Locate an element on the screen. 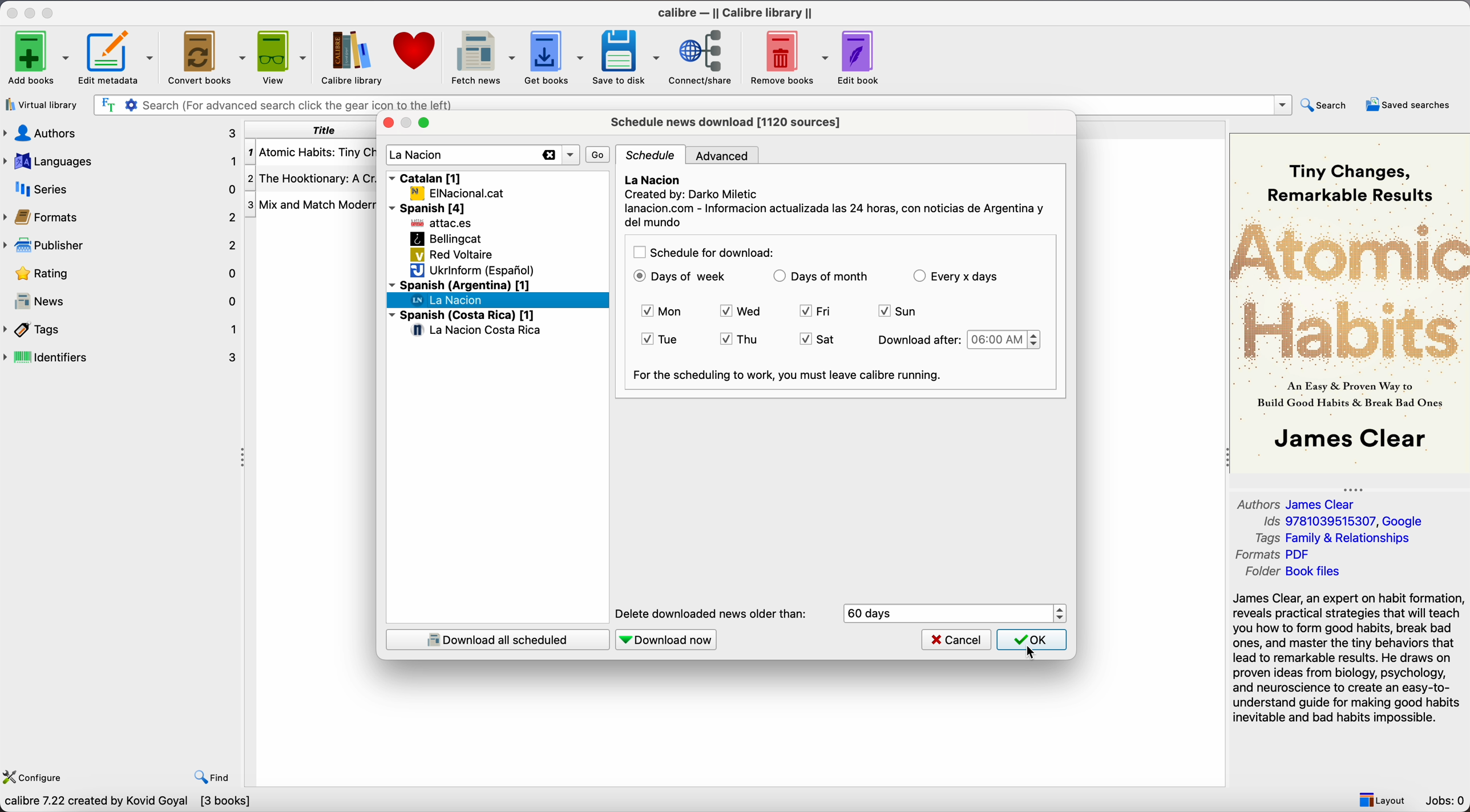  schedule news download [1120 sources] is located at coordinates (729, 122).